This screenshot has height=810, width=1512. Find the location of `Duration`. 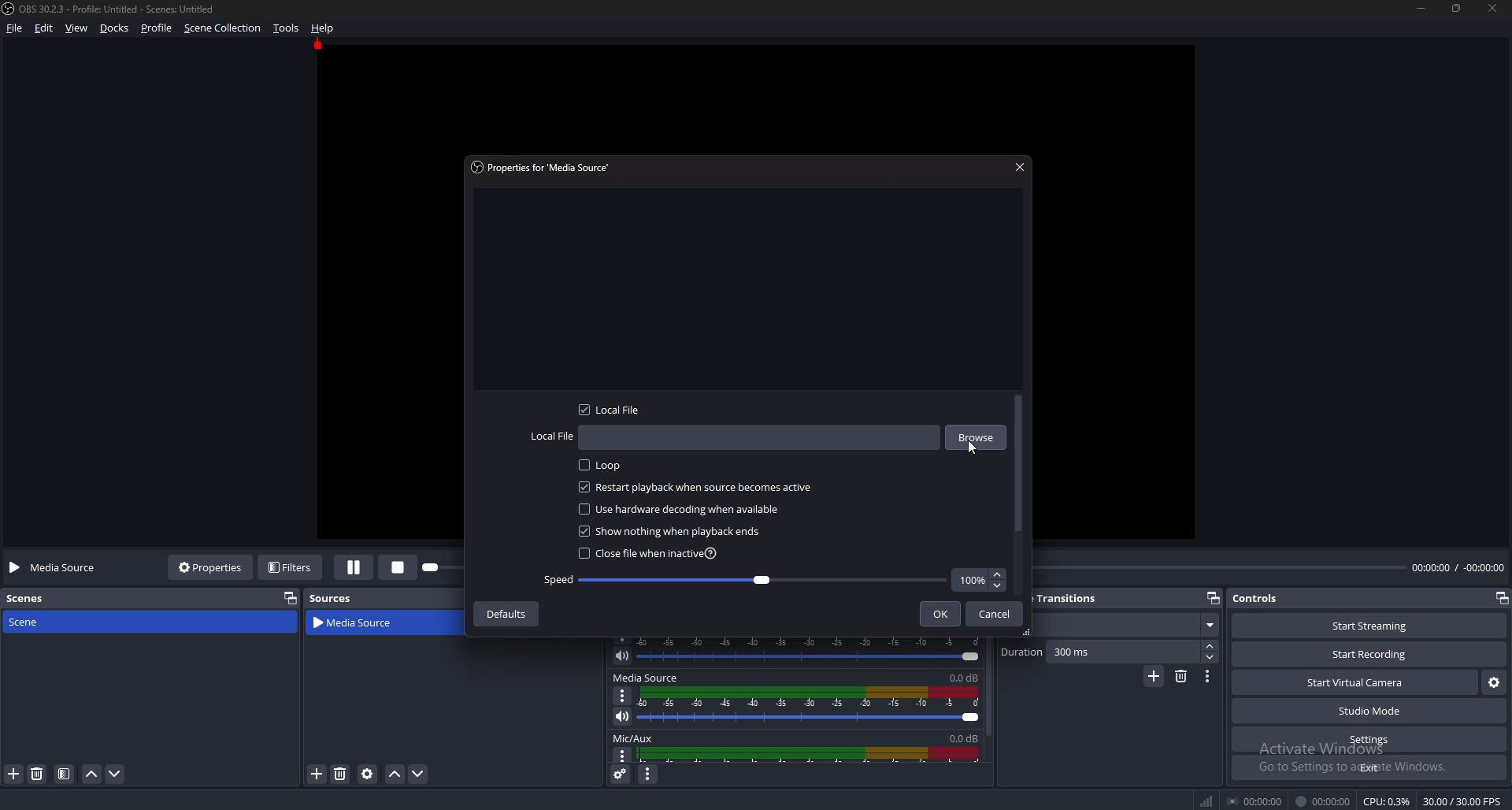

Duration is located at coordinates (1101, 652).